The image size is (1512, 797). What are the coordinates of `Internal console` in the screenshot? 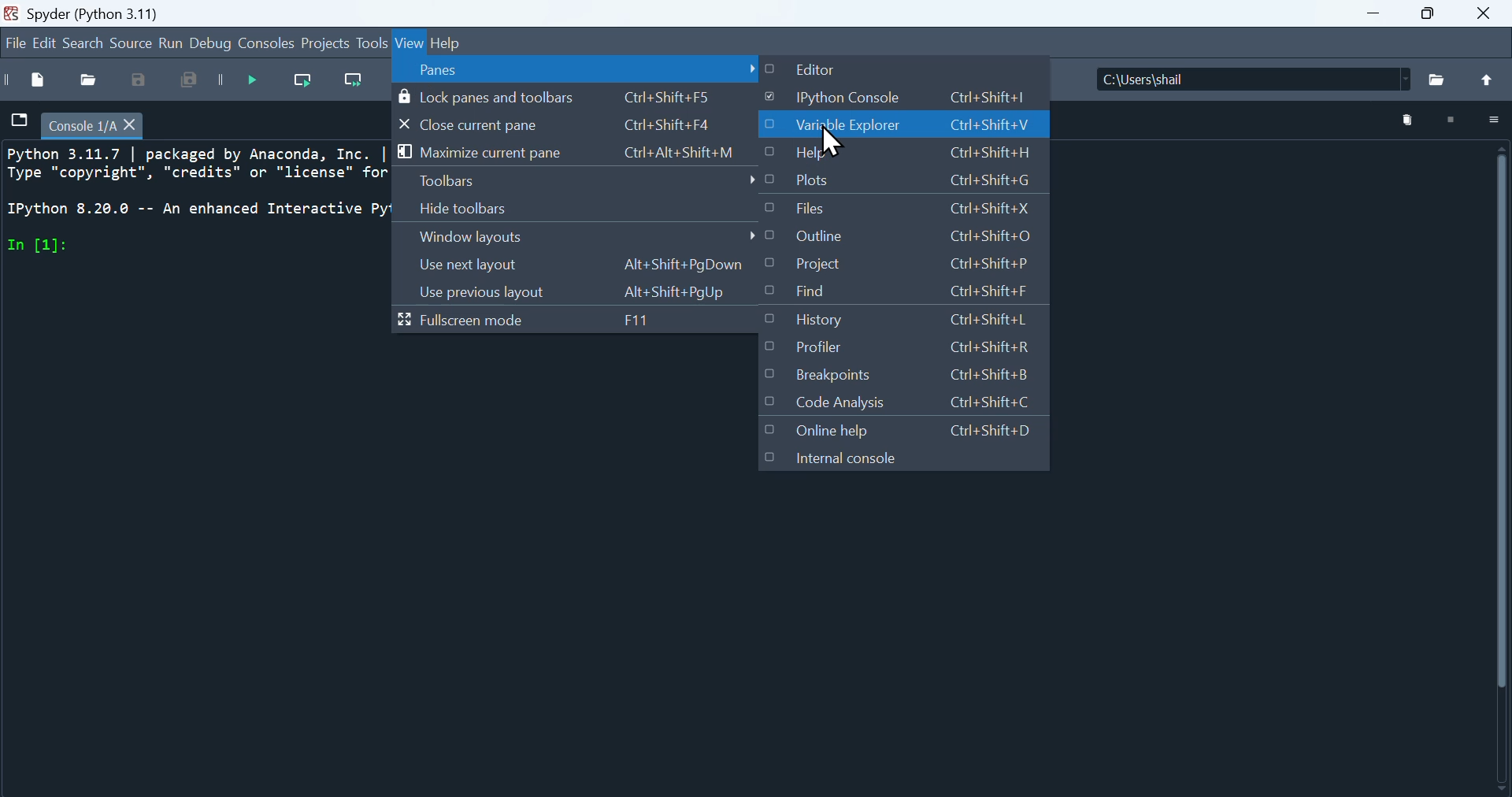 It's located at (871, 461).